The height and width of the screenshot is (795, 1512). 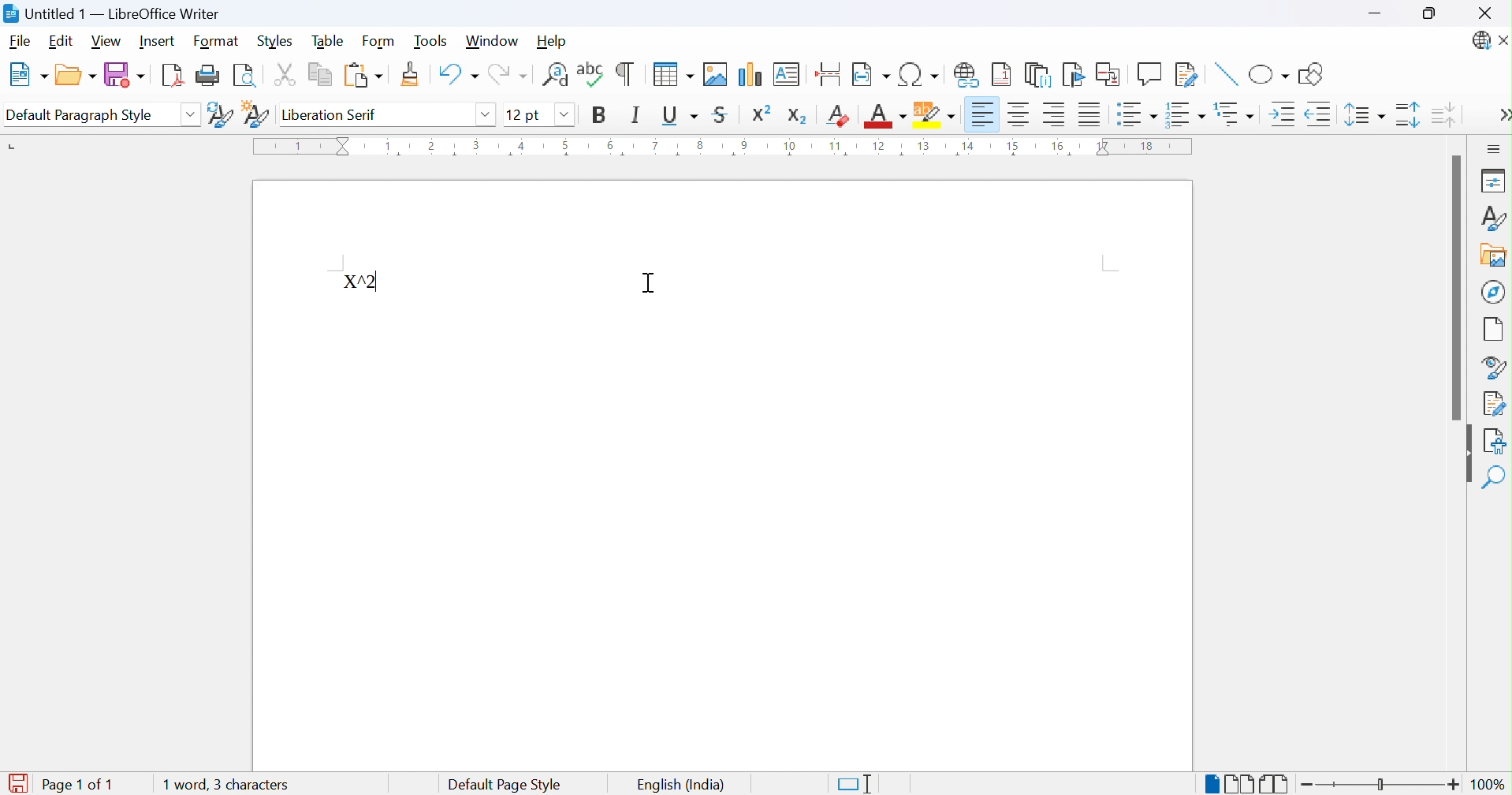 I want to click on Tools, so click(x=429, y=41).